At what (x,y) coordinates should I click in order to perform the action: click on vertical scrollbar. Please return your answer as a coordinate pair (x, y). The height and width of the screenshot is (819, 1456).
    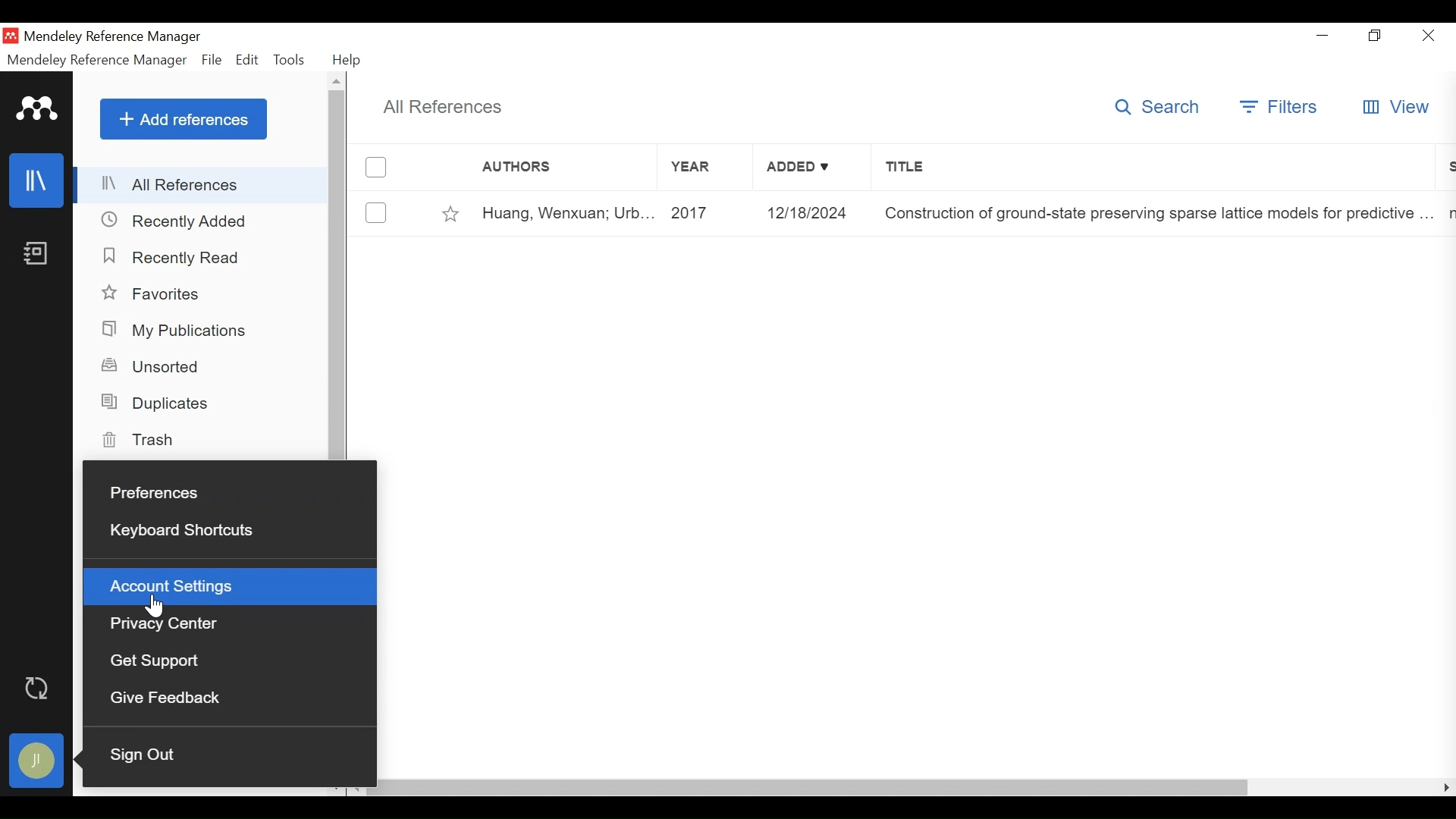
    Looking at the image, I should click on (341, 277).